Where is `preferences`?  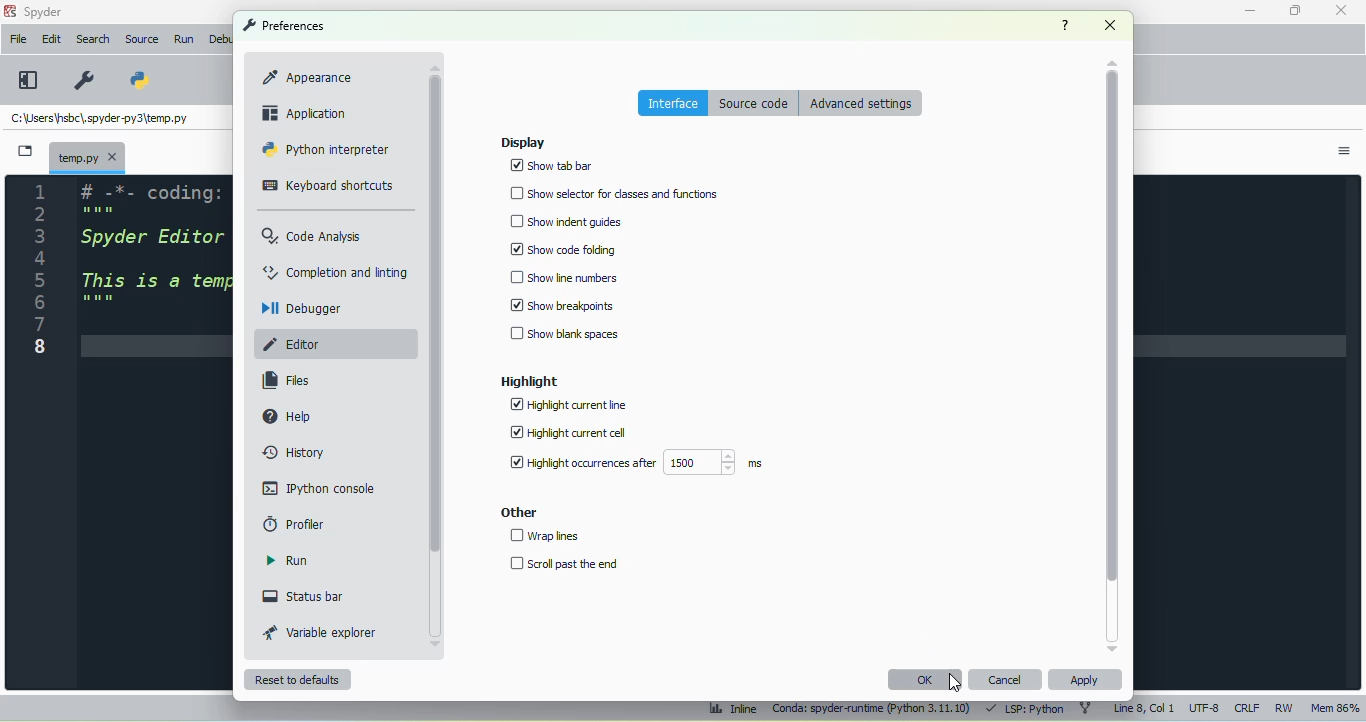 preferences is located at coordinates (283, 25).